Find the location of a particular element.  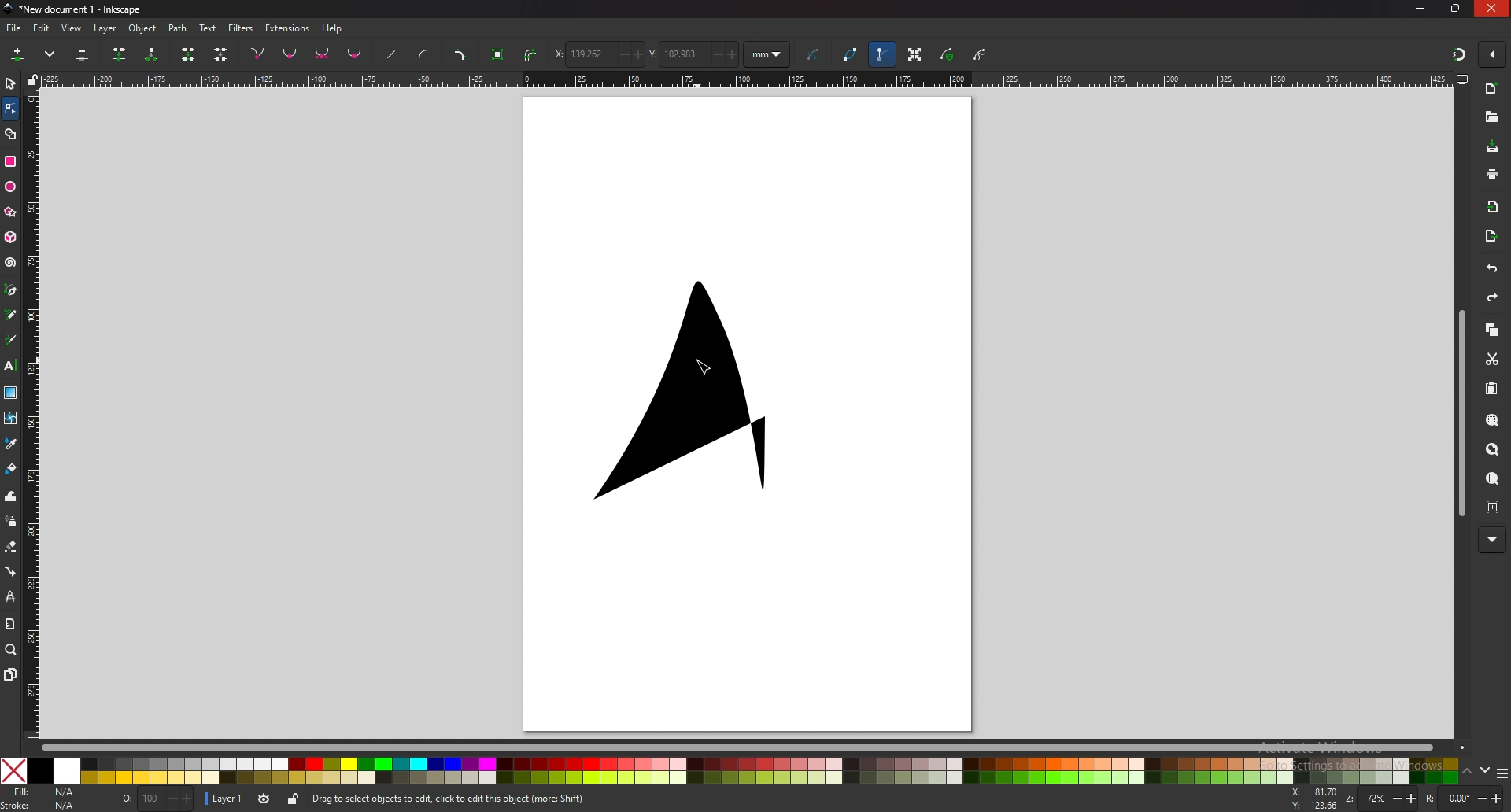

shape builder is located at coordinates (11, 134).